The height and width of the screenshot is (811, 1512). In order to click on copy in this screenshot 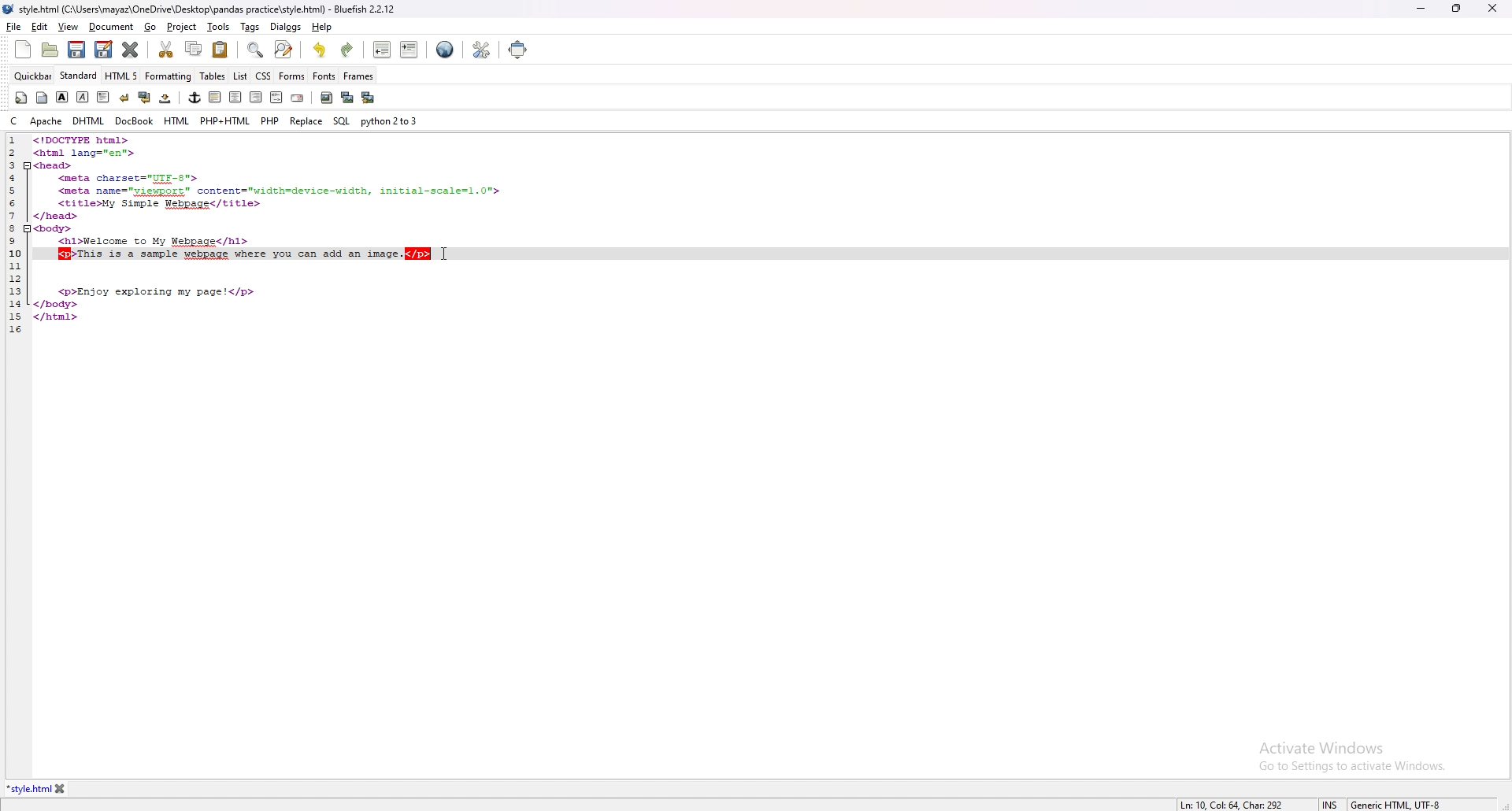, I will do `click(193, 49)`.